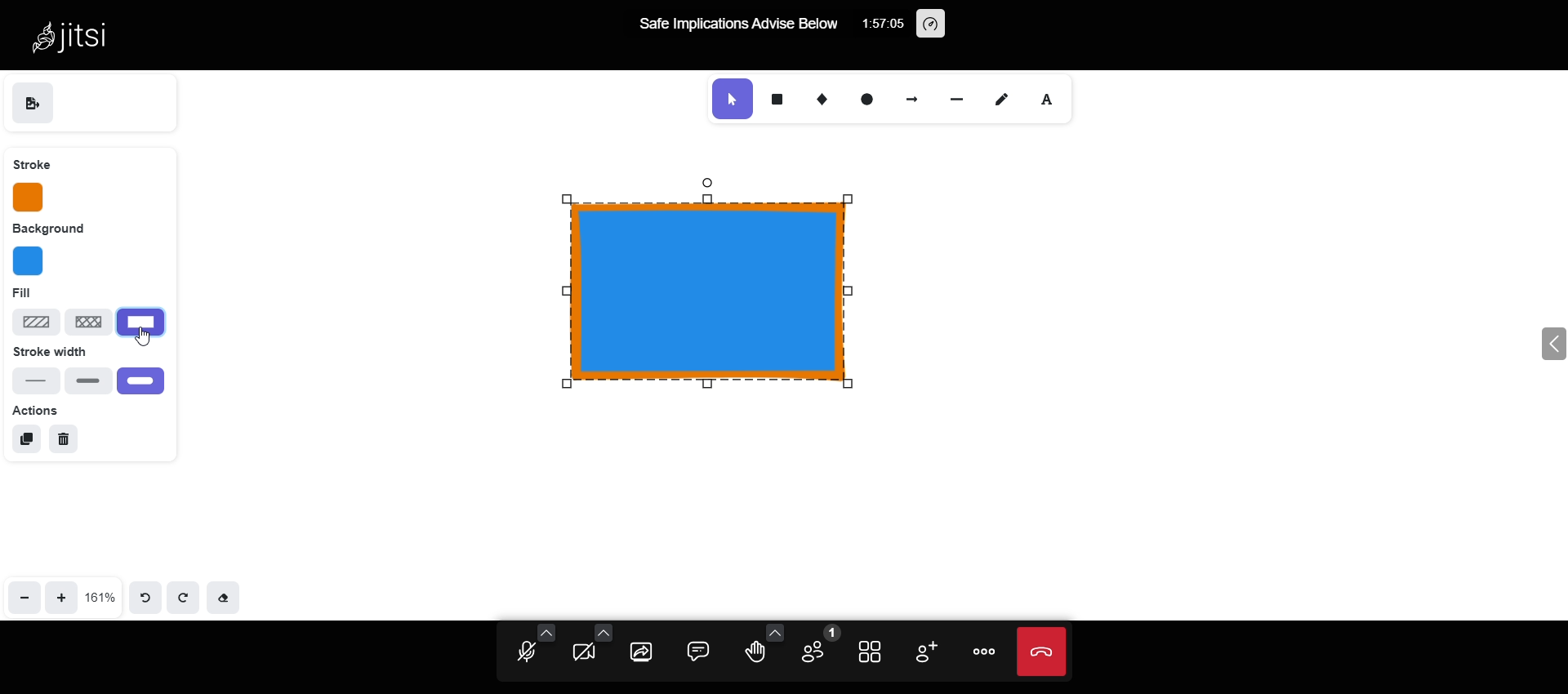  What do you see at coordinates (582, 650) in the screenshot?
I see `start camera` at bounding box center [582, 650].